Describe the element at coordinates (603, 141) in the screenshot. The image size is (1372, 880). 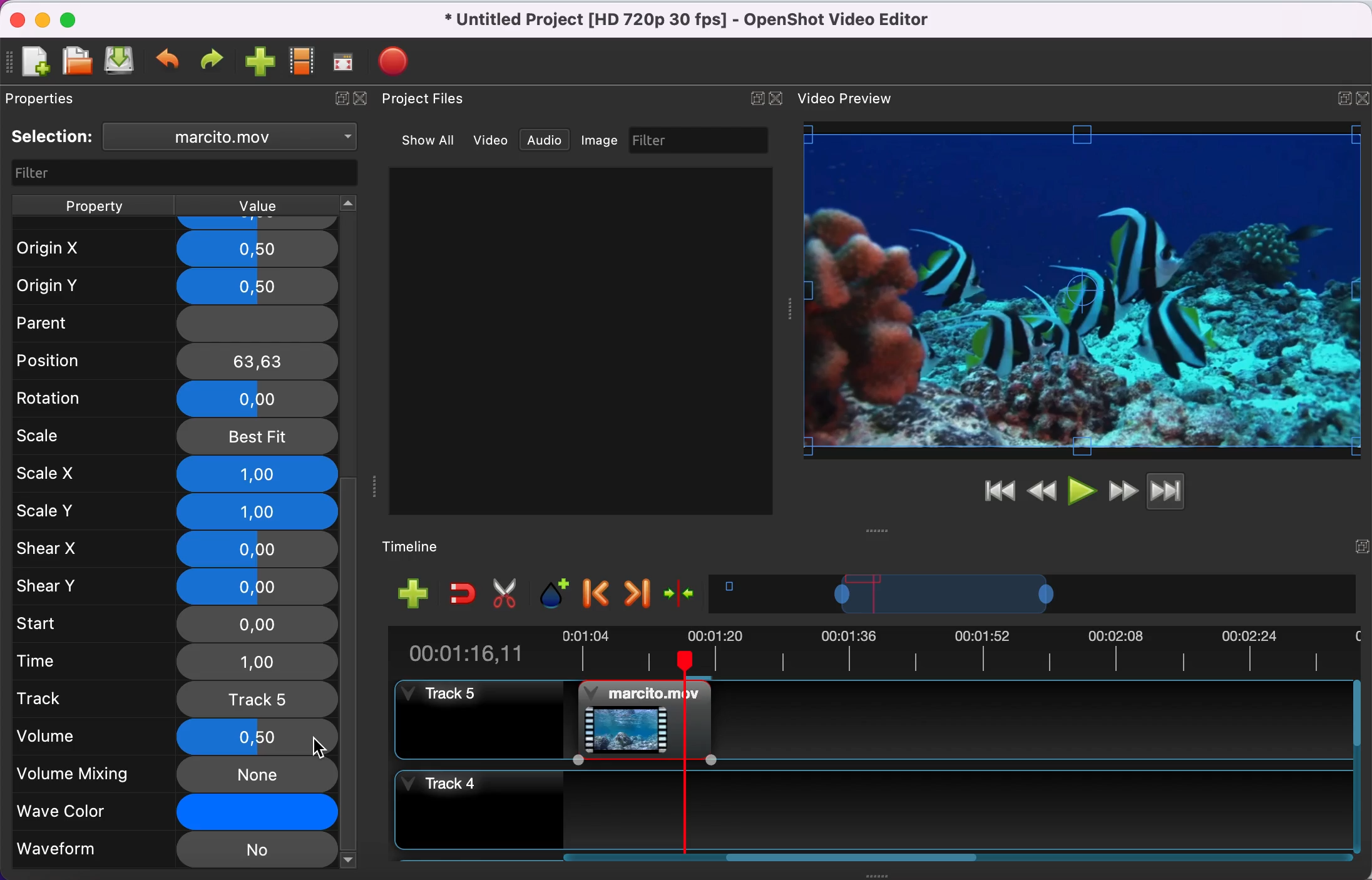
I see `image` at that location.